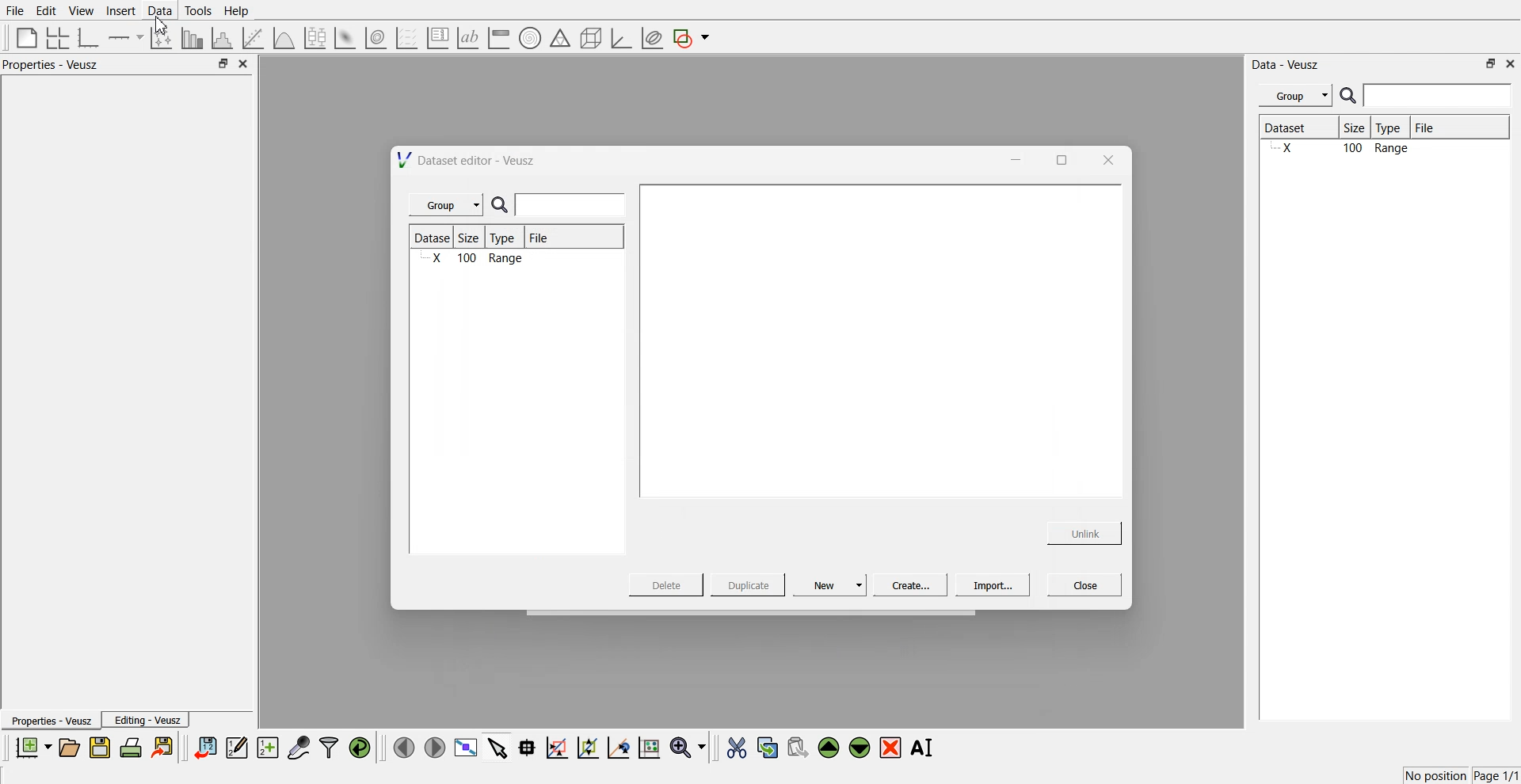  Describe the element at coordinates (80, 11) in the screenshot. I see `View` at that location.